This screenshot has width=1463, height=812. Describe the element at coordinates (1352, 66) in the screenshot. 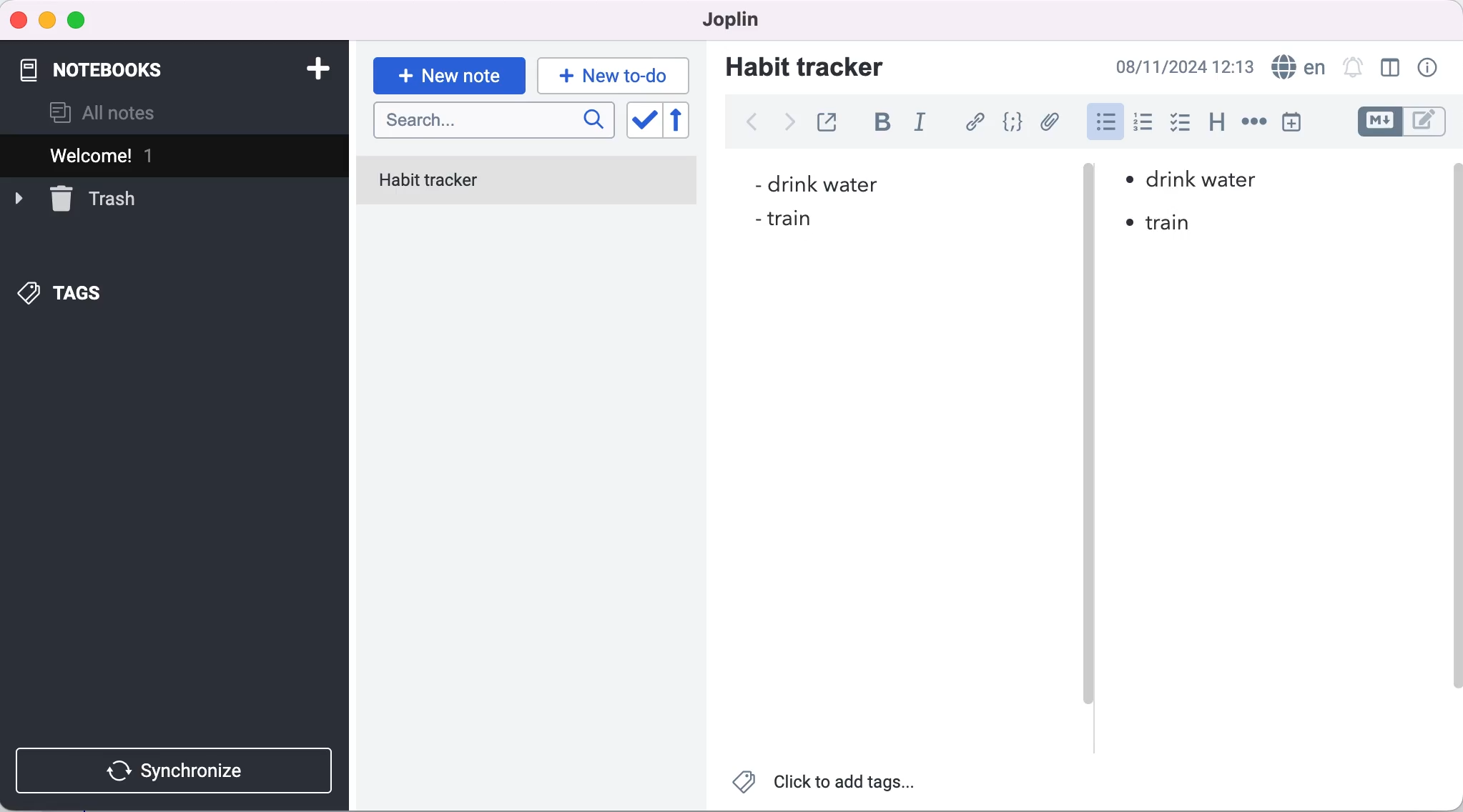

I see `set alarm` at that location.